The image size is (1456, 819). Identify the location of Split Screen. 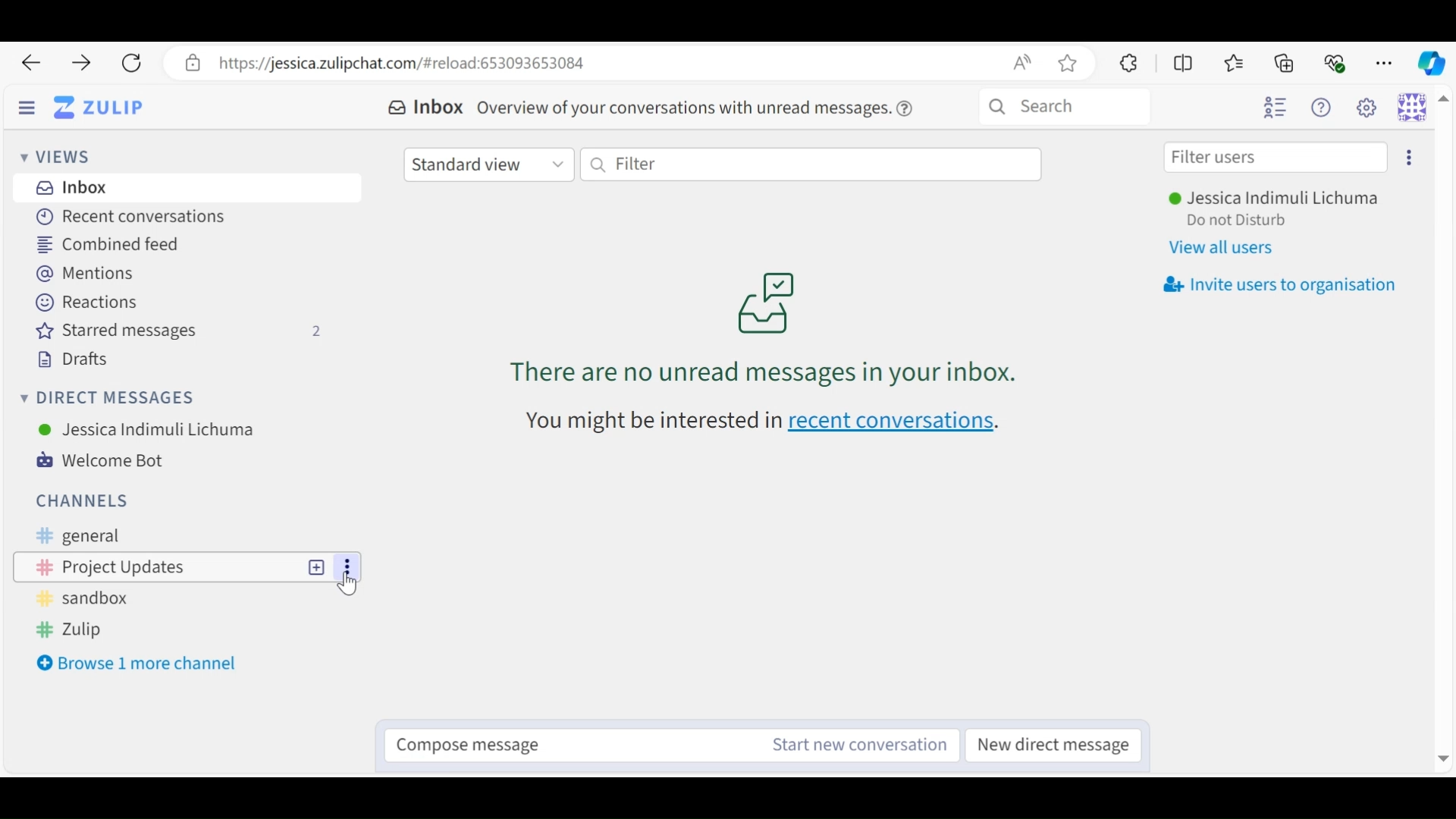
(1185, 63).